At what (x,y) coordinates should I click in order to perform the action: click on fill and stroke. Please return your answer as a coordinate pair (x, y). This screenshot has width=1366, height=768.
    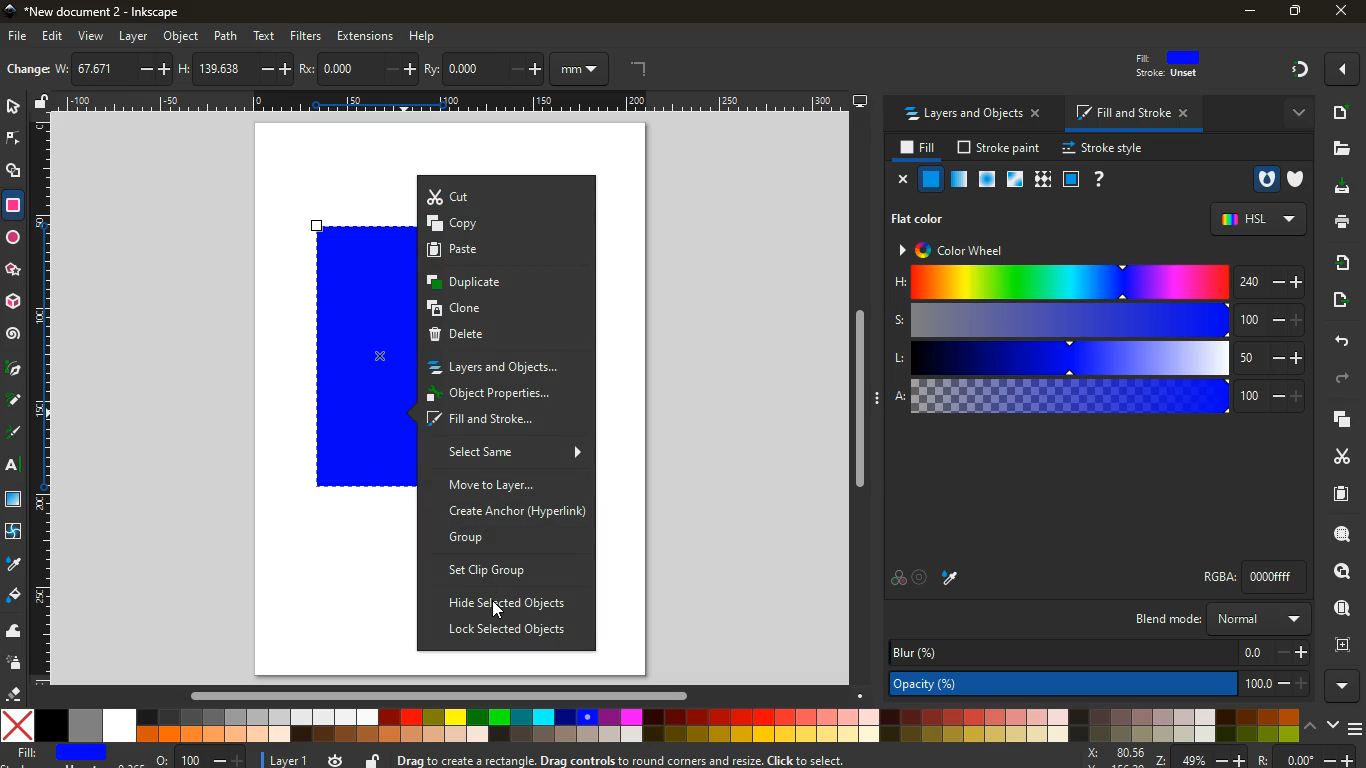
    Looking at the image, I should click on (1131, 113).